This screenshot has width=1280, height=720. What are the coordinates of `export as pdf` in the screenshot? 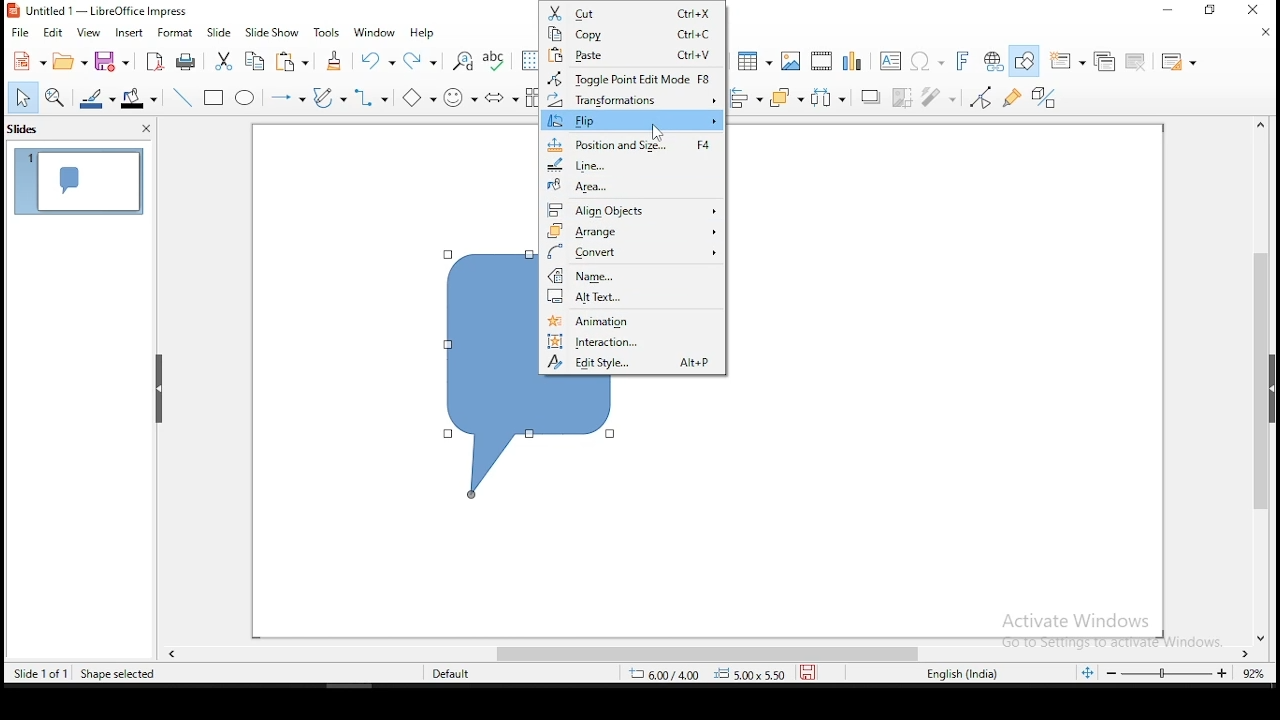 It's located at (154, 62).